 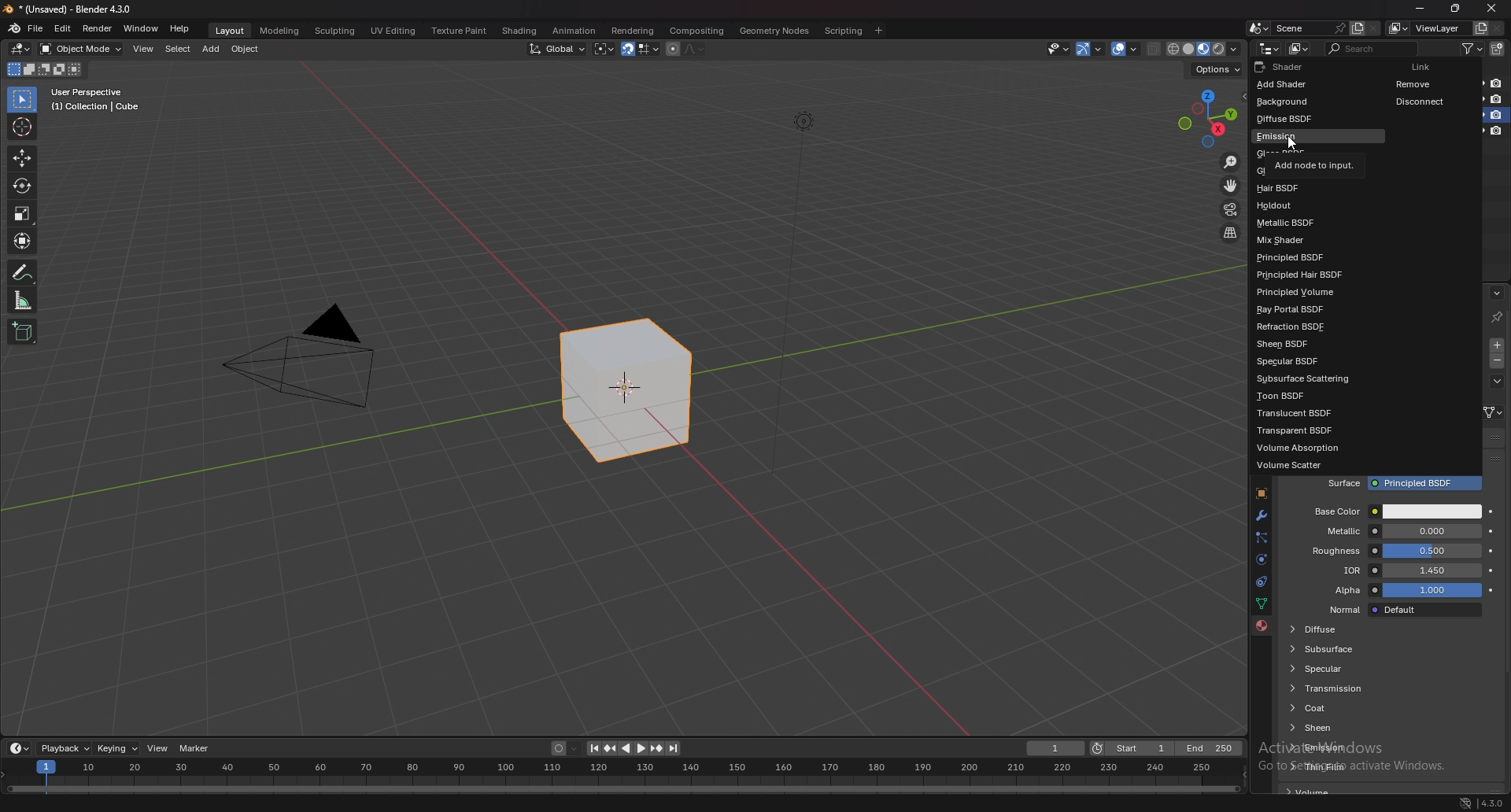 What do you see at coordinates (180, 28) in the screenshot?
I see `help` at bounding box center [180, 28].